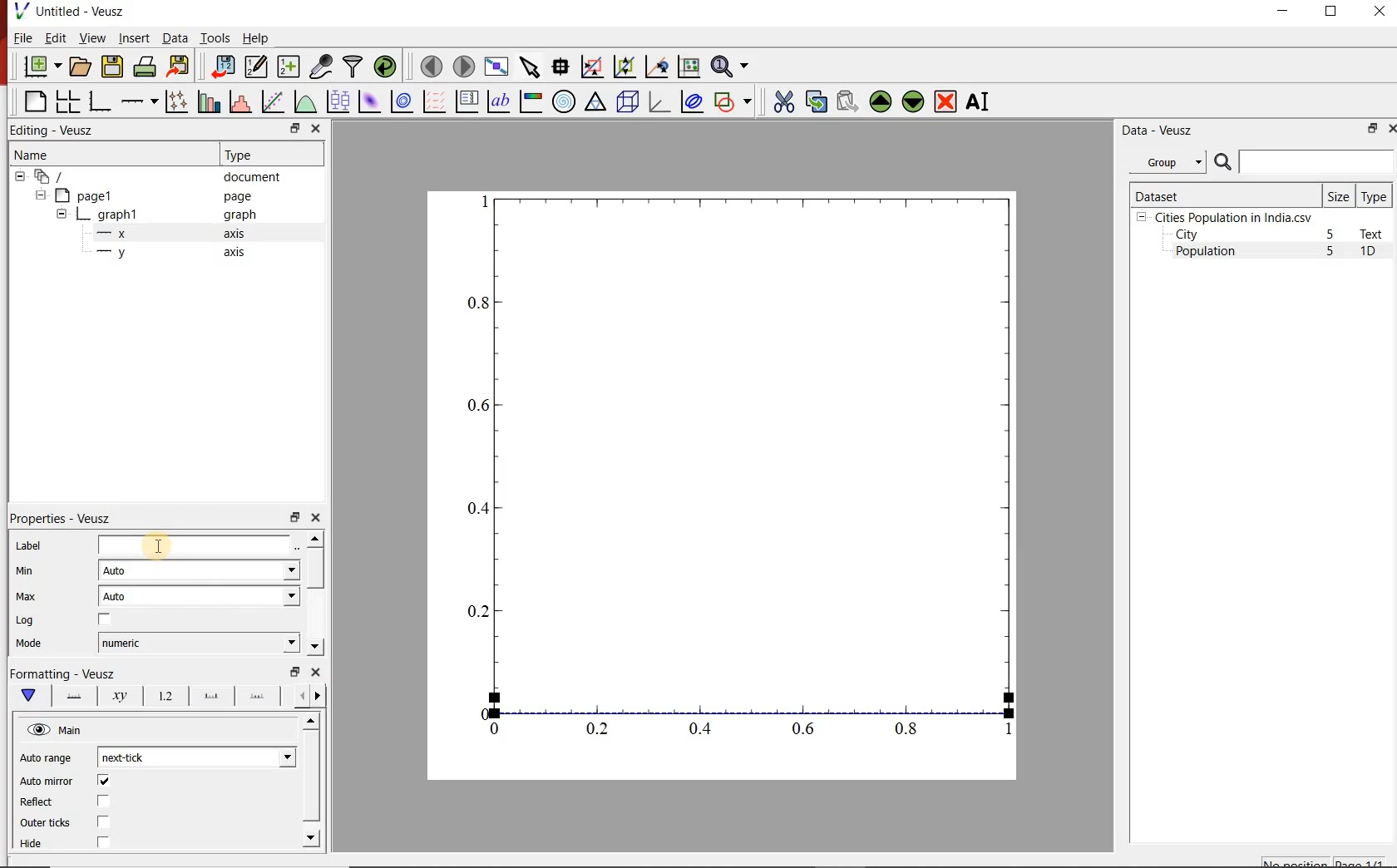 The width and height of the screenshot is (1397, 868). What do you see at coordinates (133, 39) in the screenshot?
I see `Insert` at bounding box center [133, 39].